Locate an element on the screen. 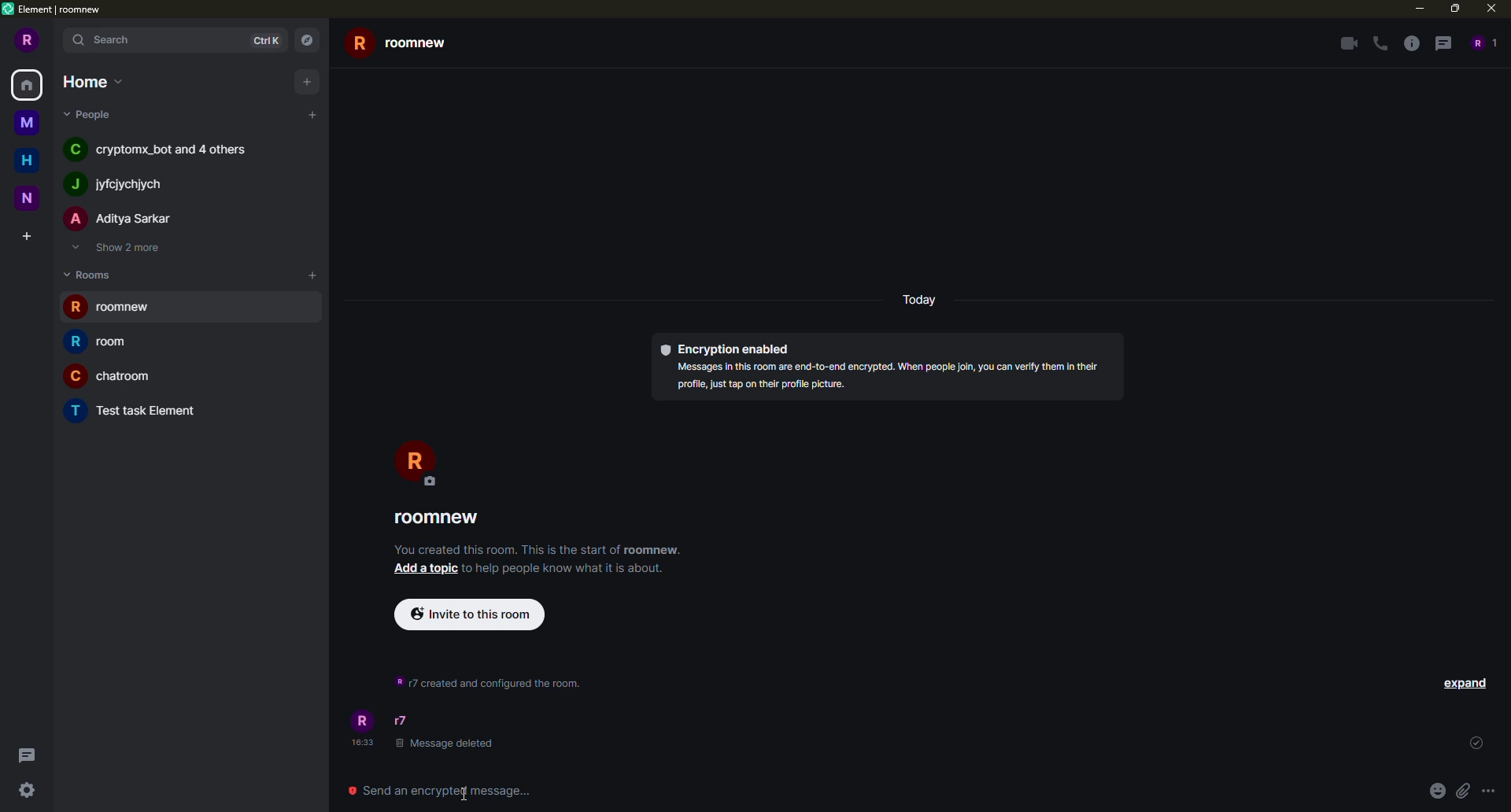  profile is located at coordinates (365, 720).